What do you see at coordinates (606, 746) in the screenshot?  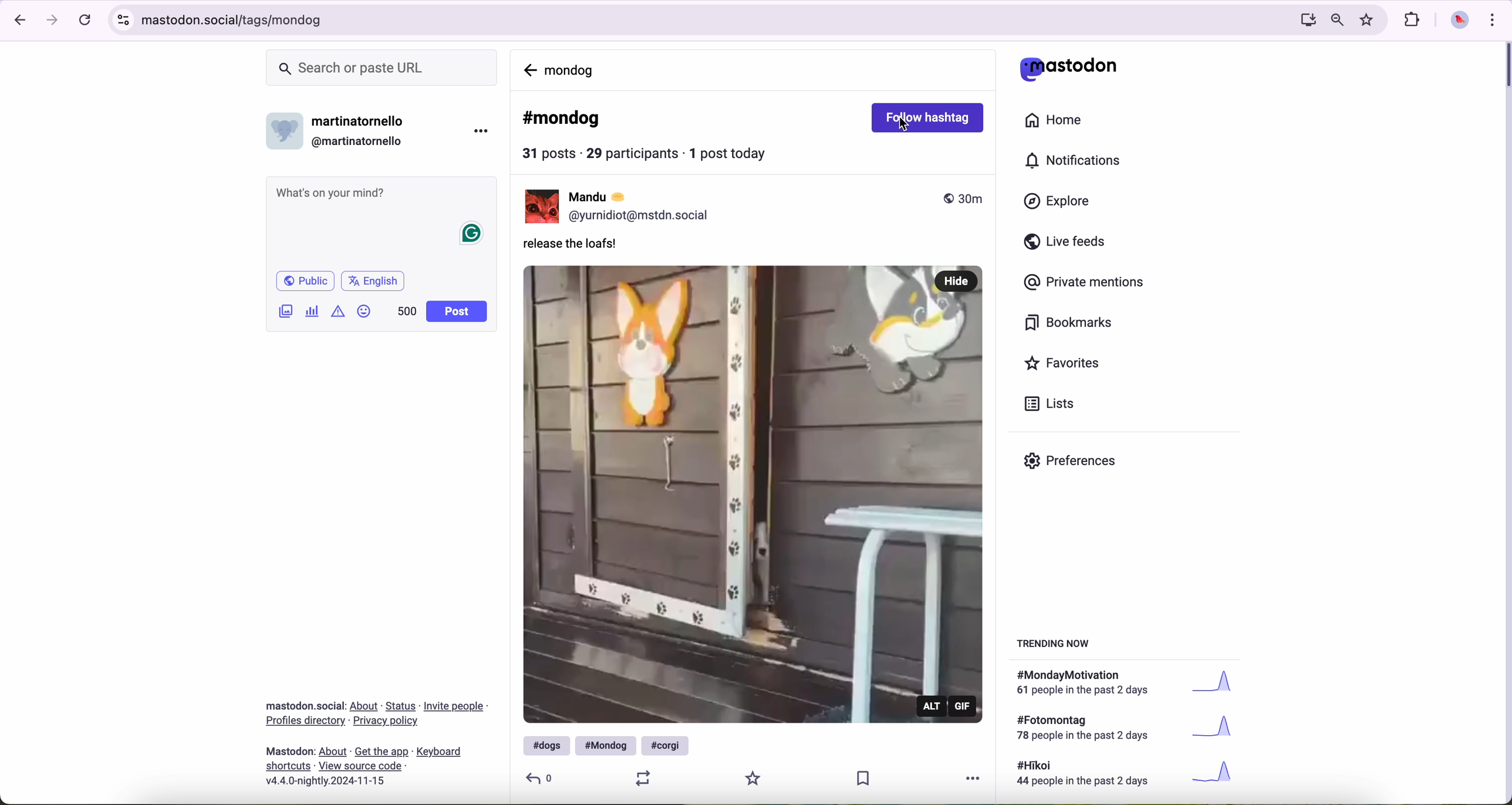 I see `#mondog` at bounding box center [606, 746].